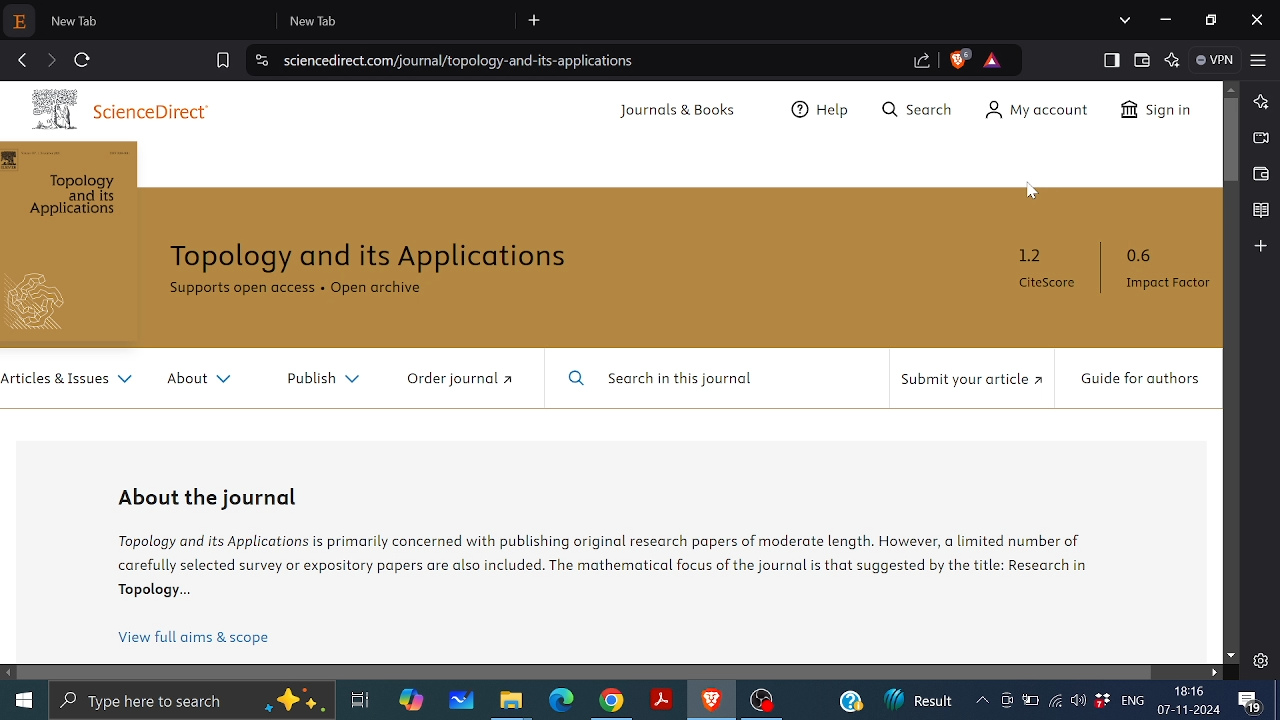 The width and height of the screenshot is (1280, 720). Describe the element at coordinates (611, 703) in the screenshot. I see `Chrome` at that location.